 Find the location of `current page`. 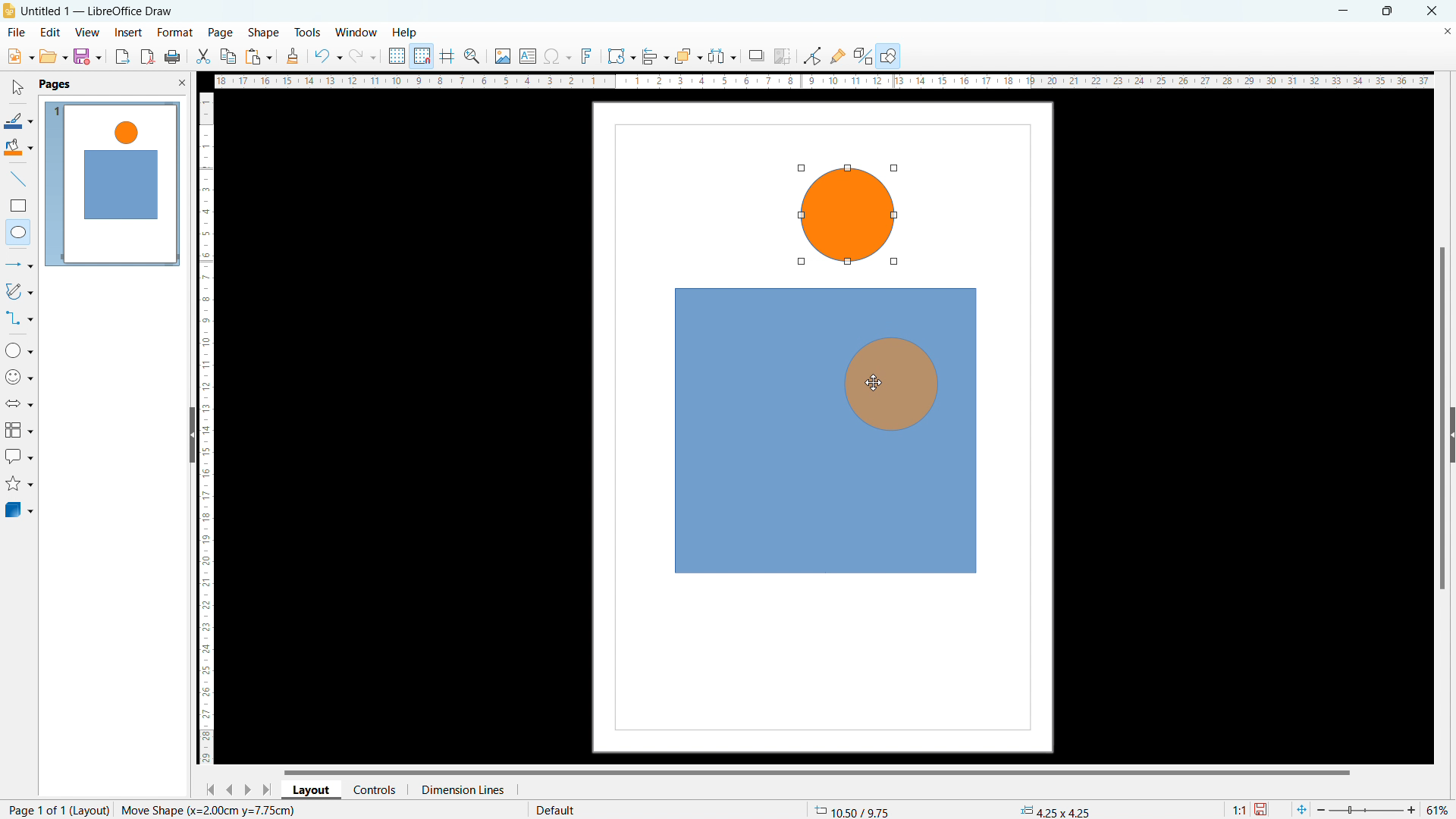

current page is located at coordinates (33, 809).